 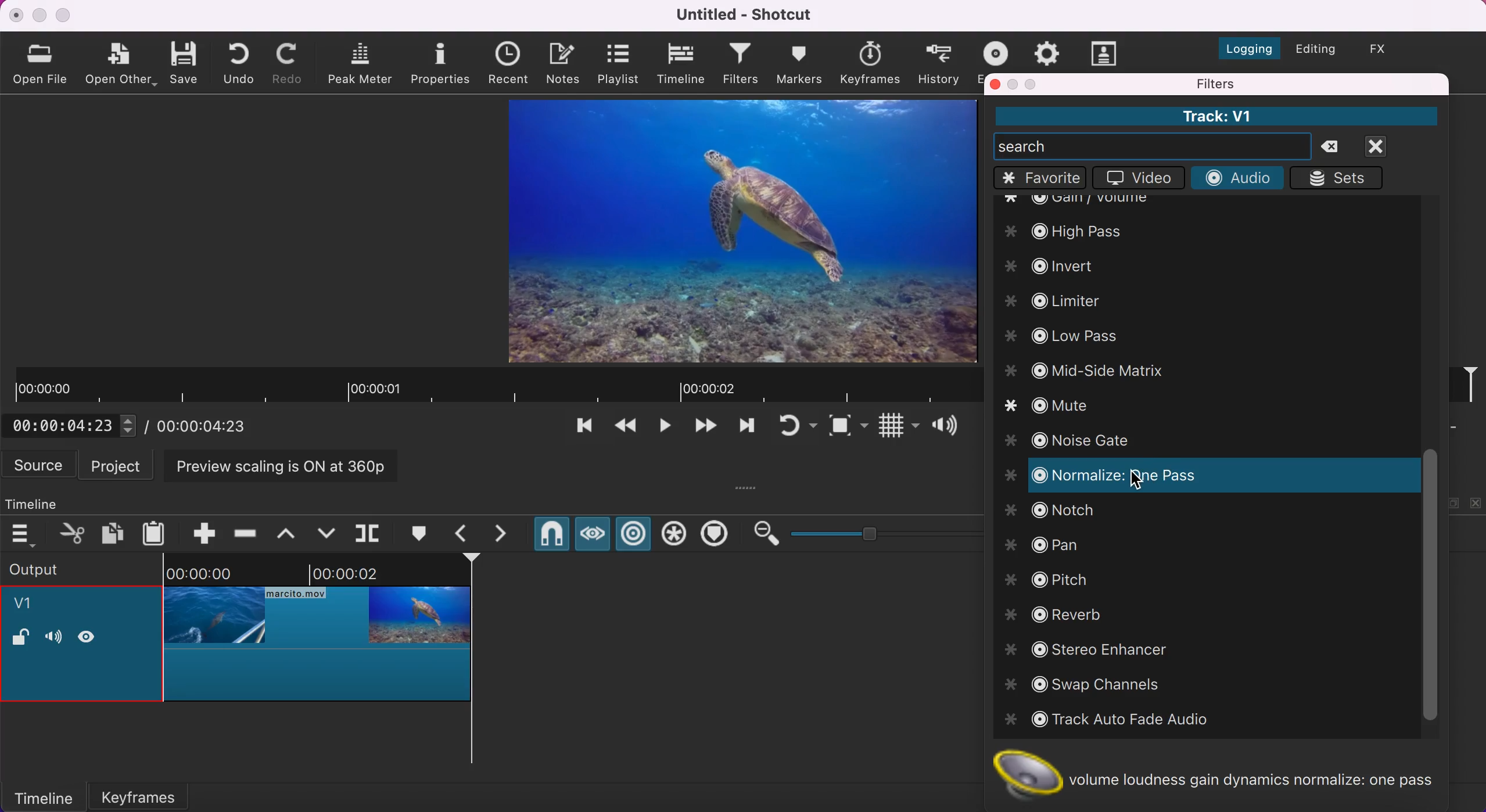 I want to click on play quickly forwards, so click(x=745, y=429).